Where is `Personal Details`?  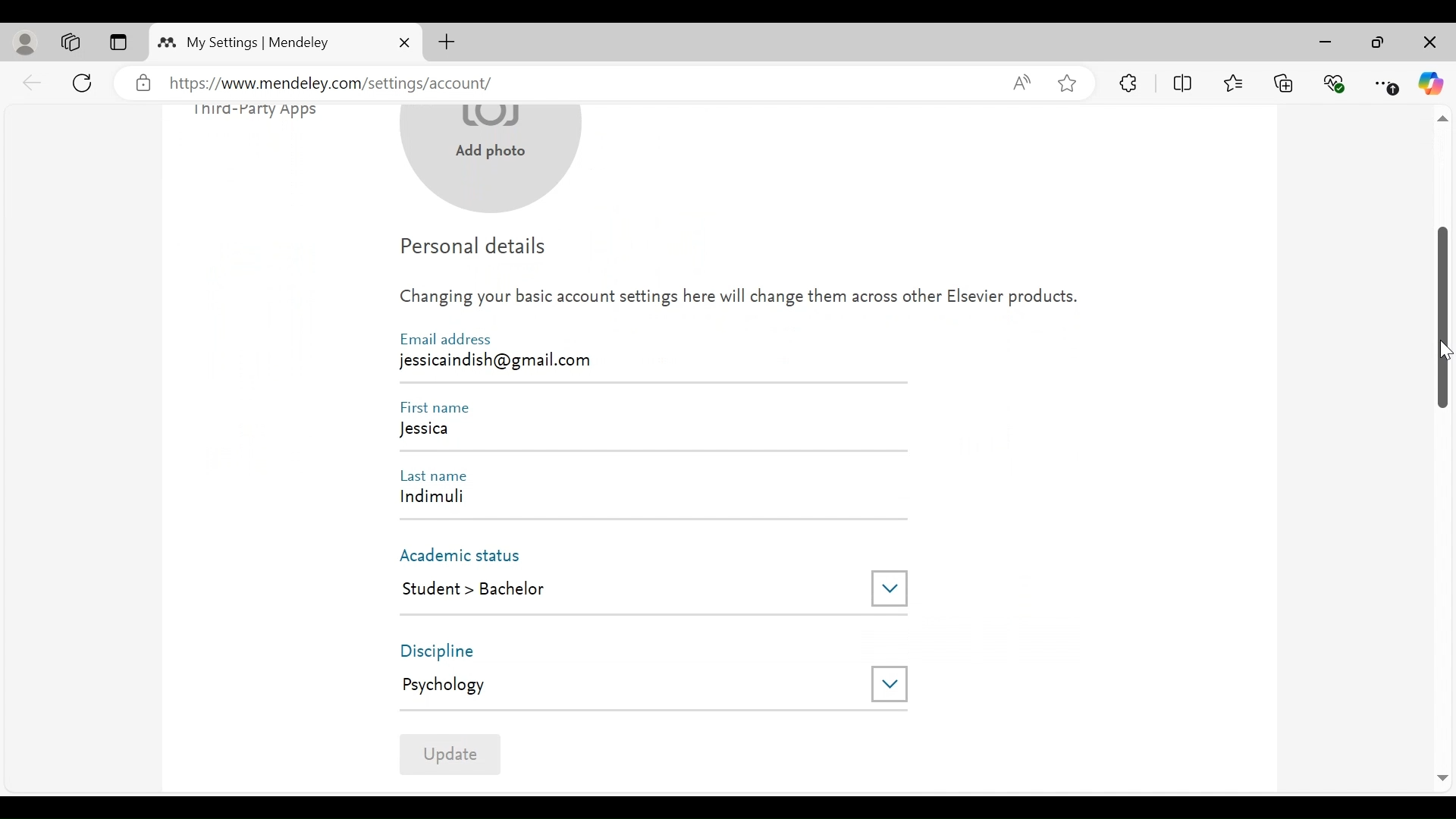
Personal Details is located at coordinates (475, 249).